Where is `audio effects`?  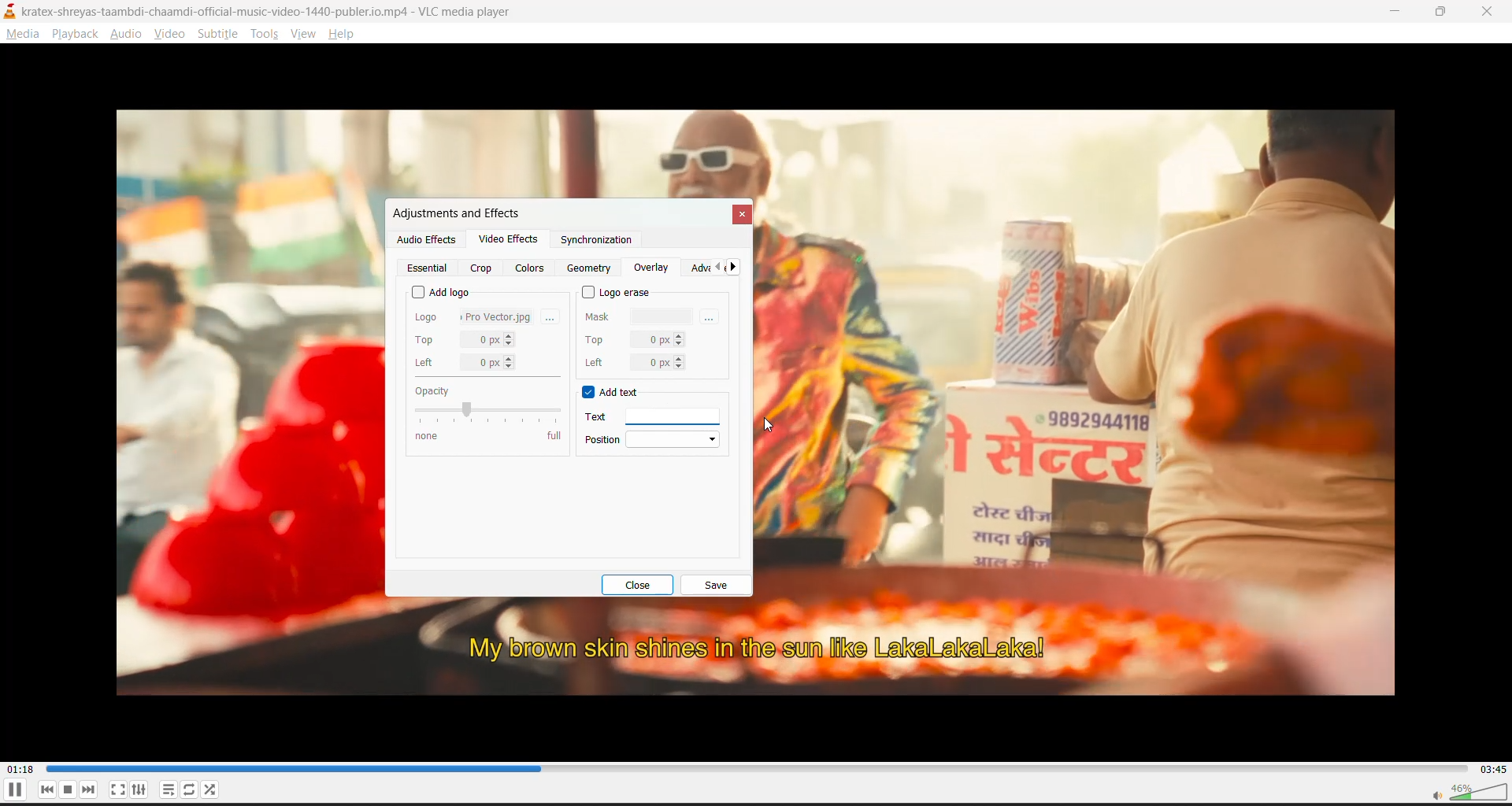 audio effects is located at coordinates (426, 239).